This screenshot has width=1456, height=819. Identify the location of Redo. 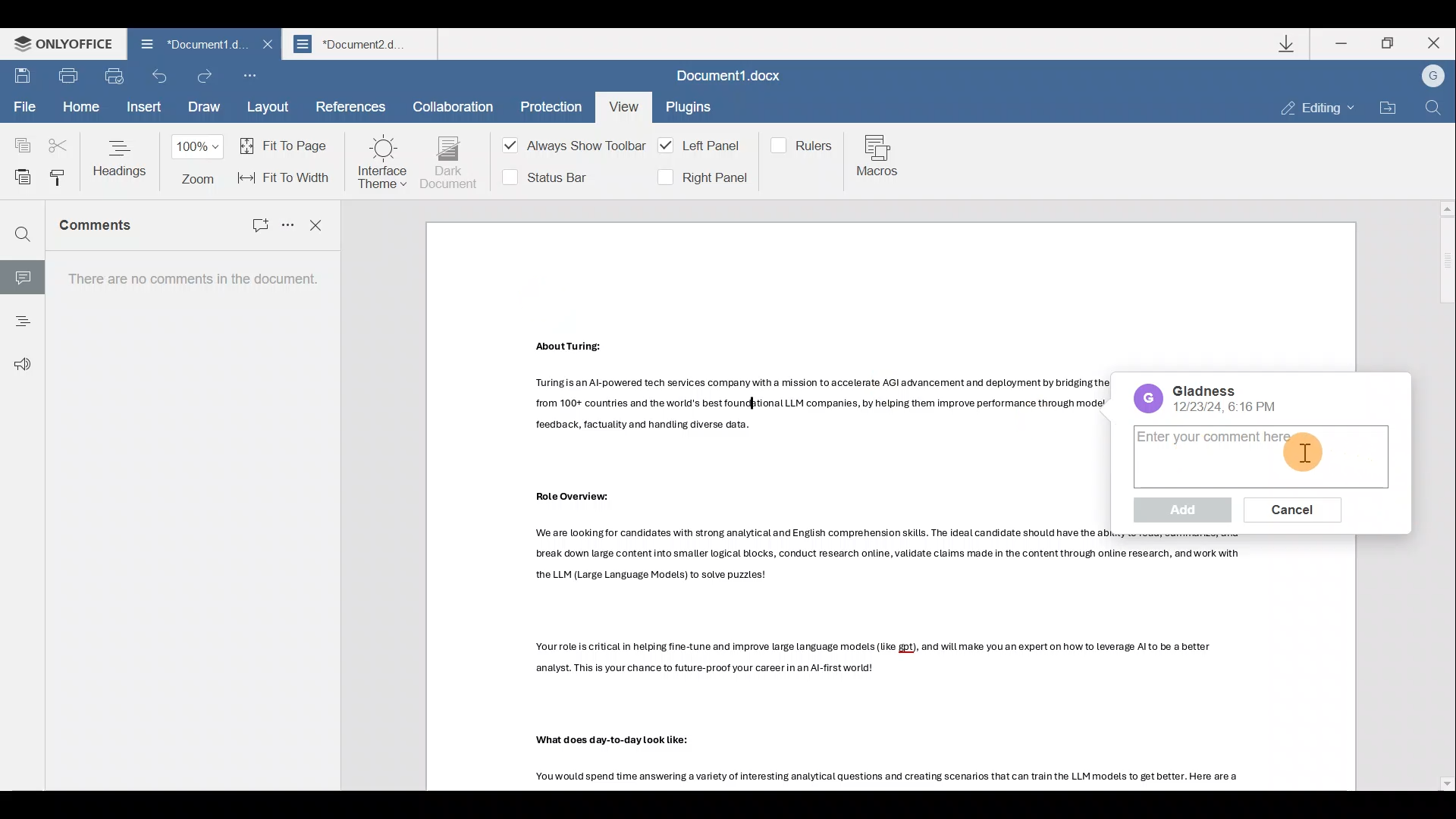
(206, 76).